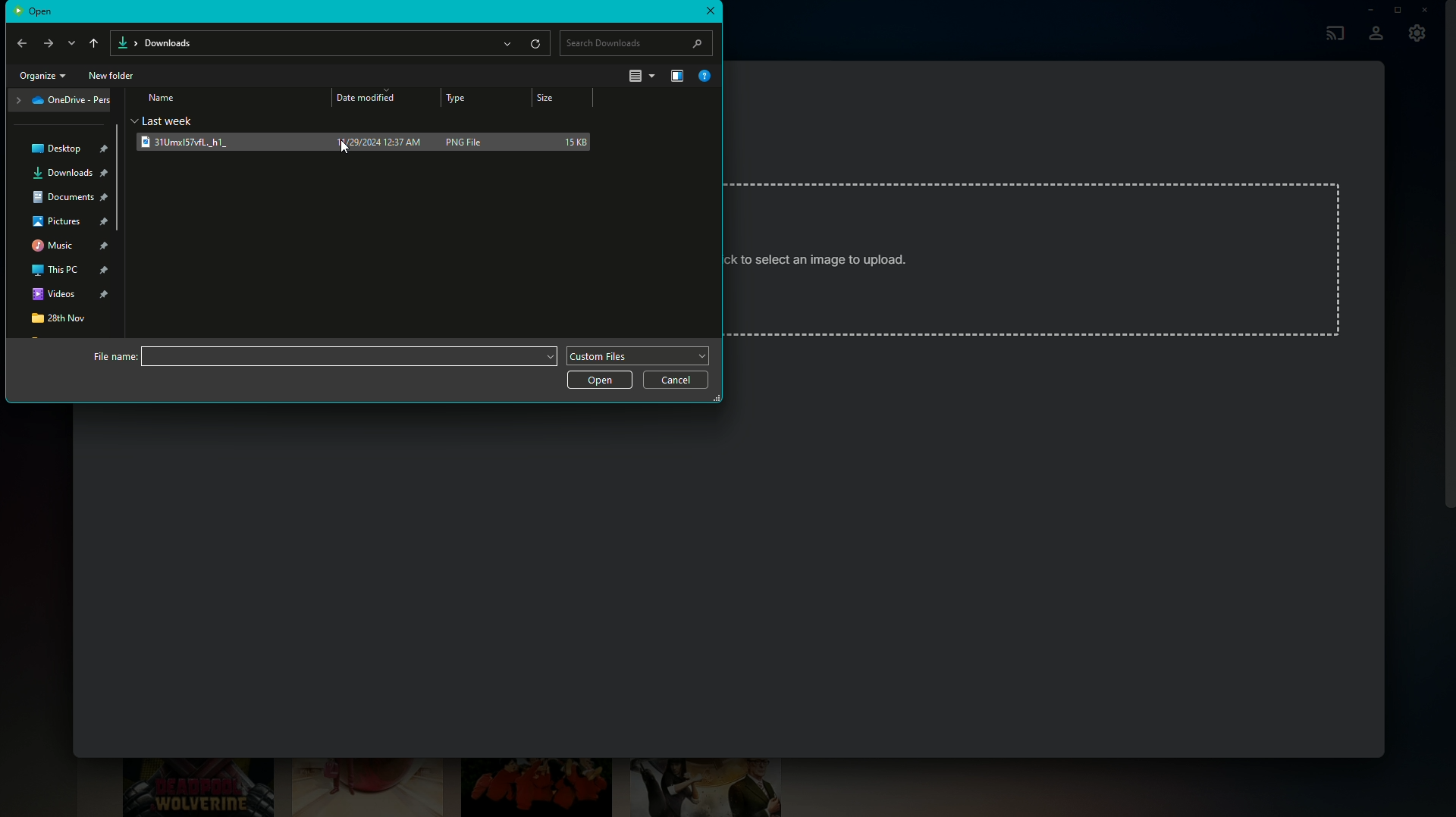 The width and height of the screenshot is (1456, 817). Describe the element at coordinates (176, 120) in the screenshot. I see `` at that location.